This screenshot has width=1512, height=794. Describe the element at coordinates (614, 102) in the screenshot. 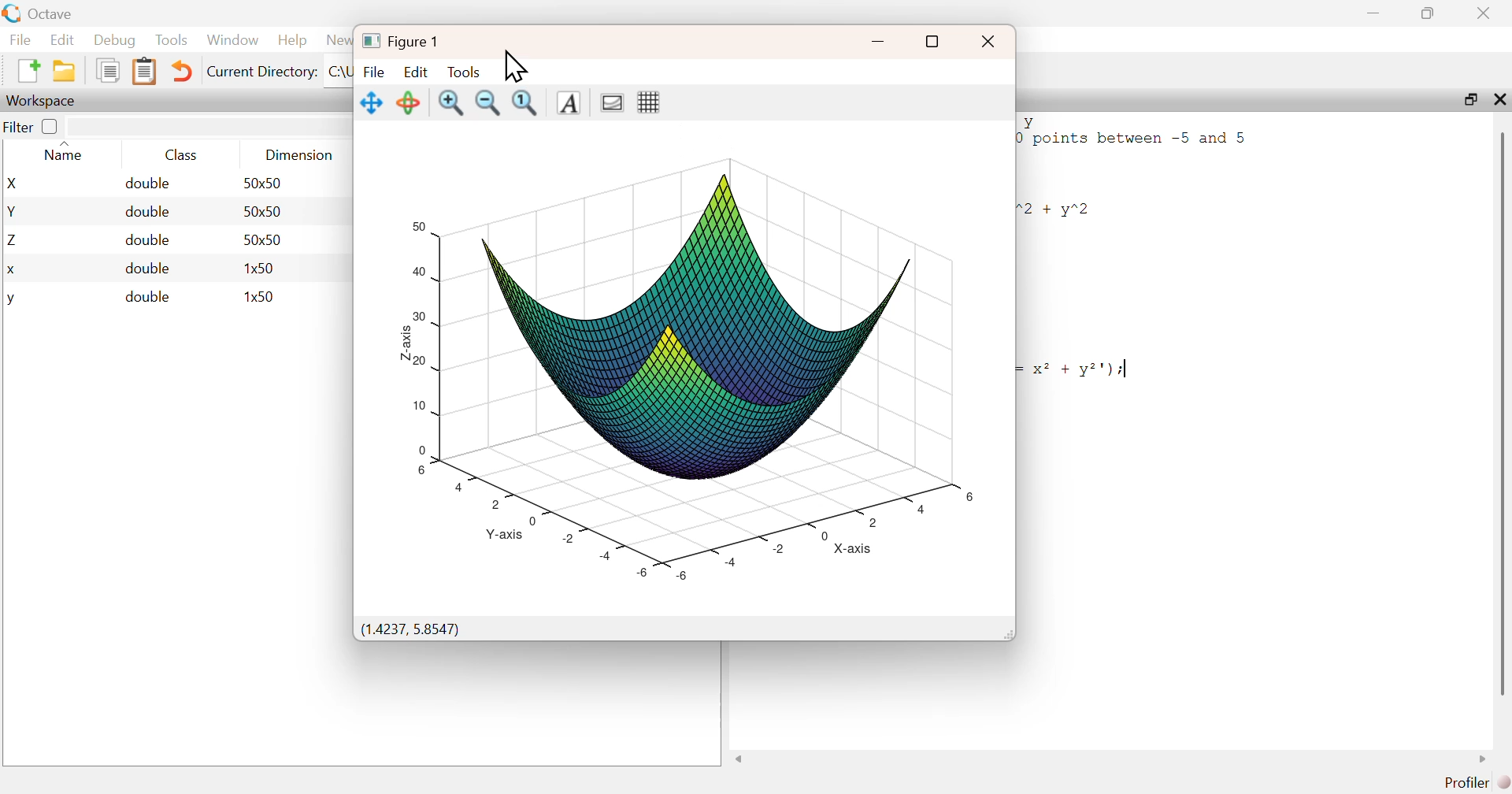

I see `Gradient` at that location.